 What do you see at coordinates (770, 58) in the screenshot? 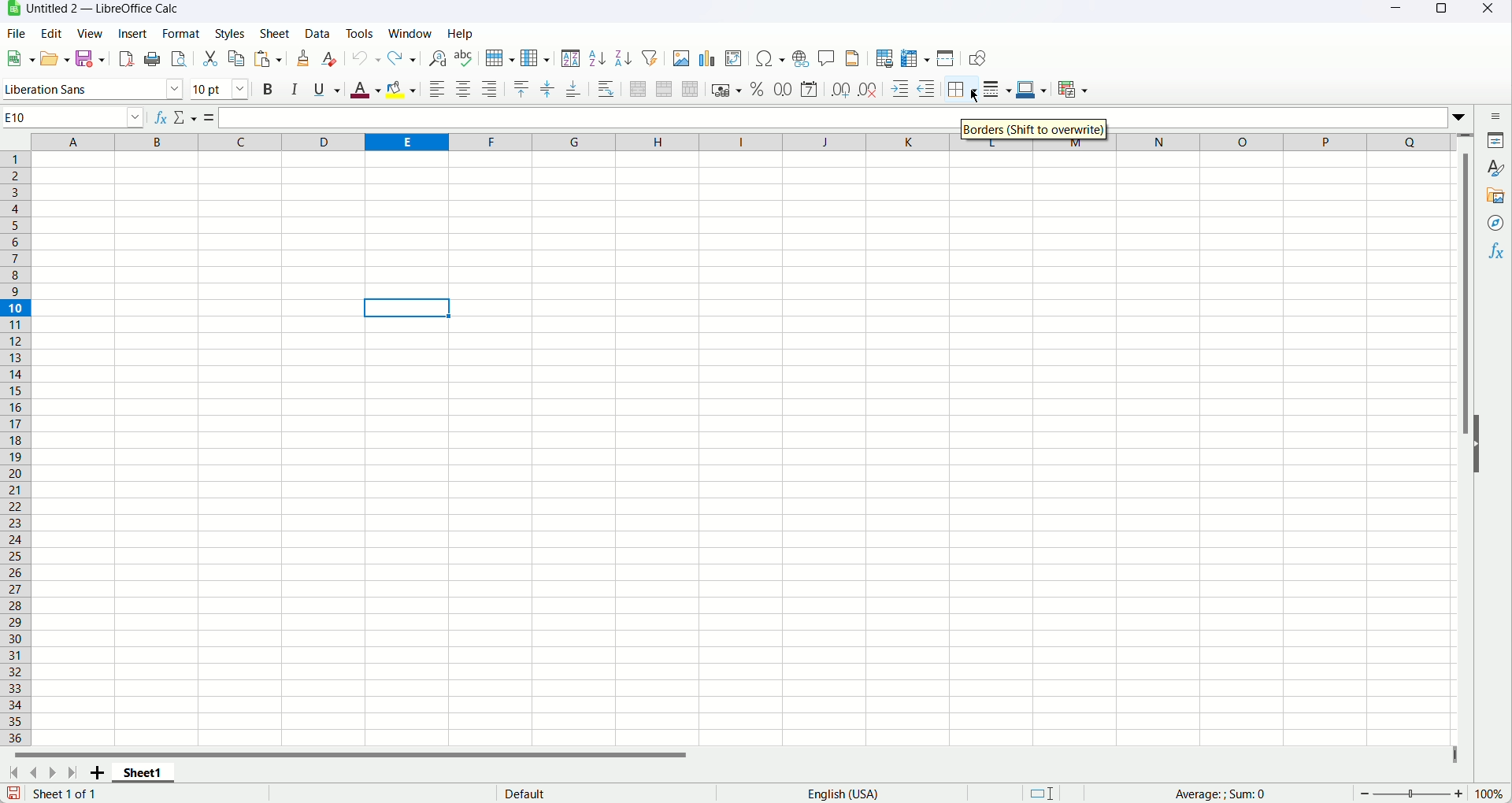
I see `insert special characters` at bounding box center [770, 58].